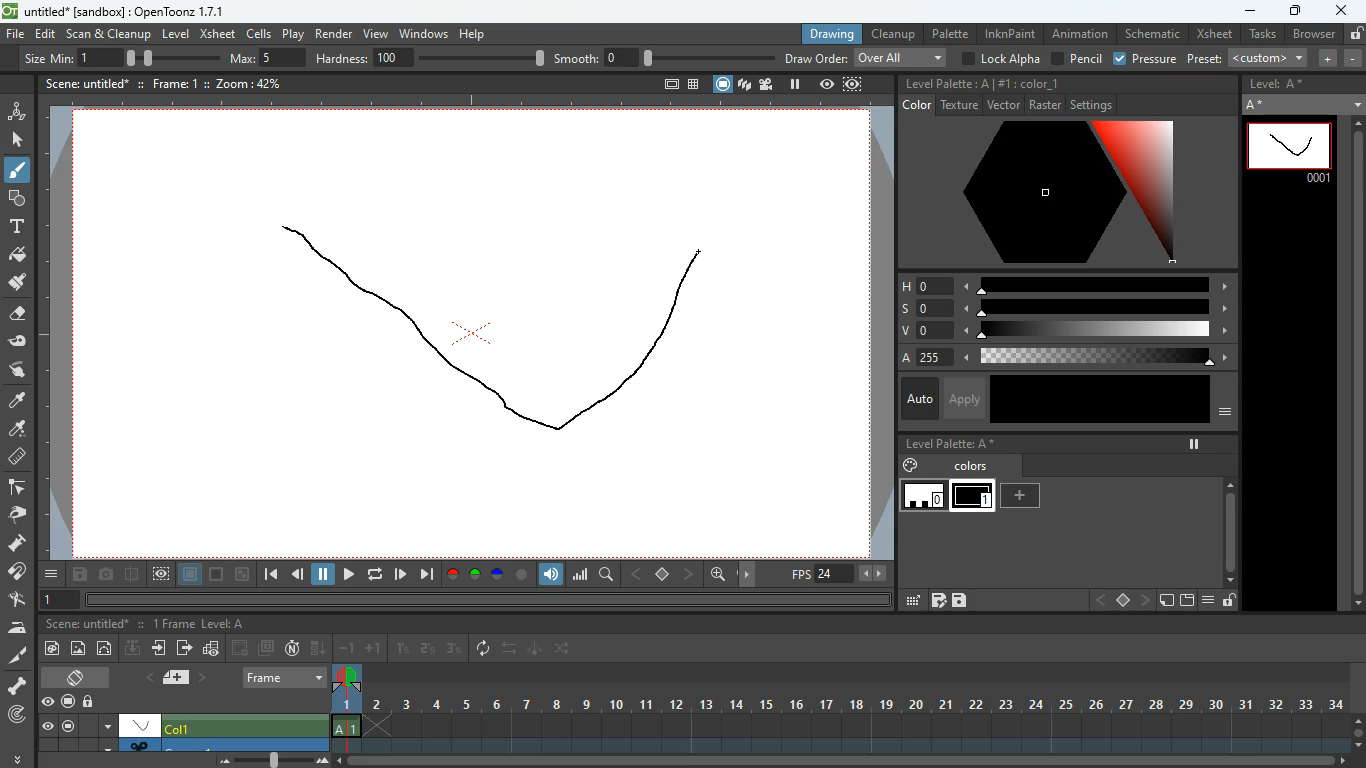 The height and width of the screenshot is (768, 1366). What do you see at coordinates (82, 576) in the screenshot?
I see `save` at bounding box center [82, 576].